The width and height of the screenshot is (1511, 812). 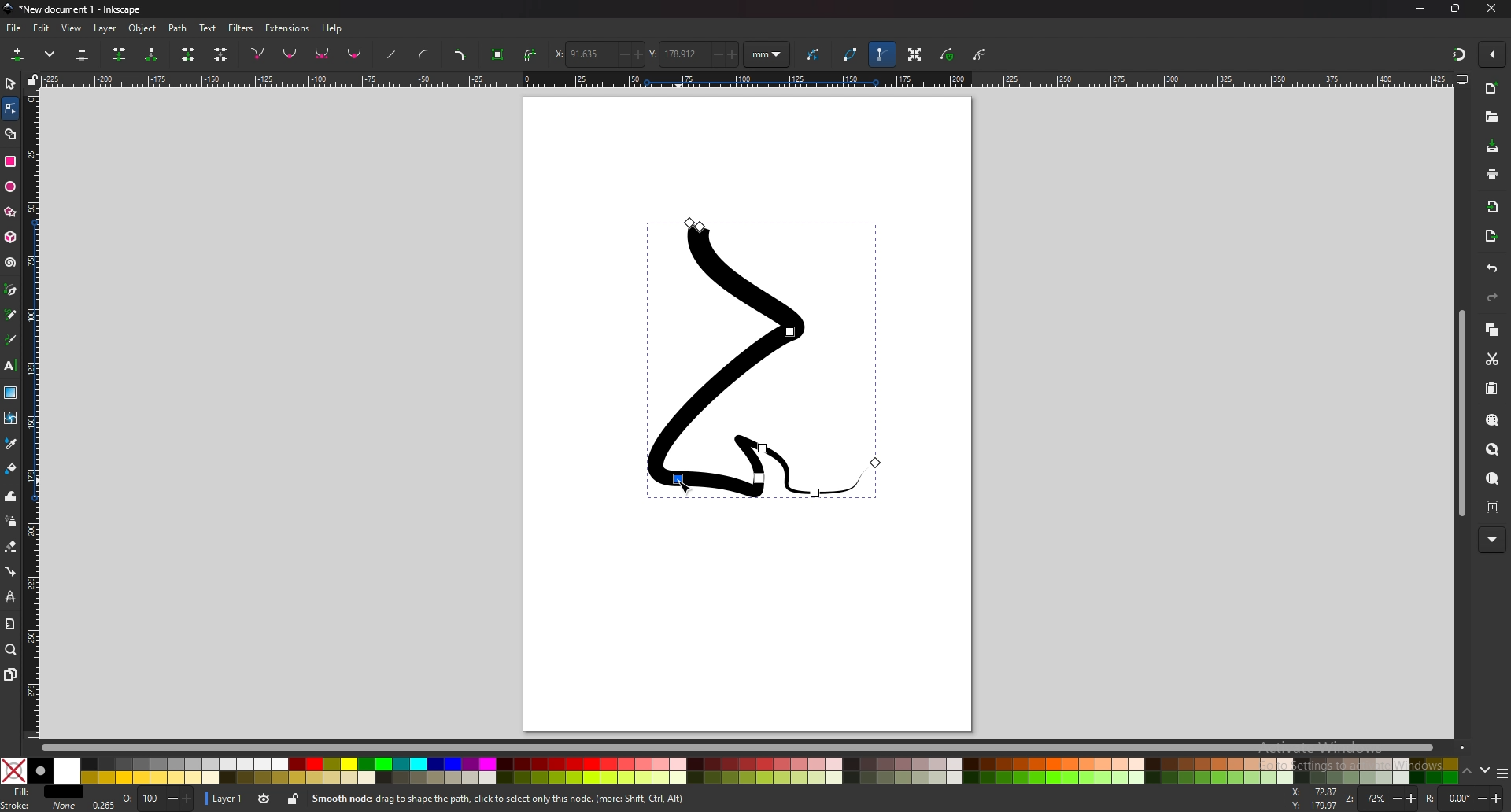 What do you see at coordinates (140, 799) in the screenshot?
I see `Opacity` at bounding box center [140, 799].